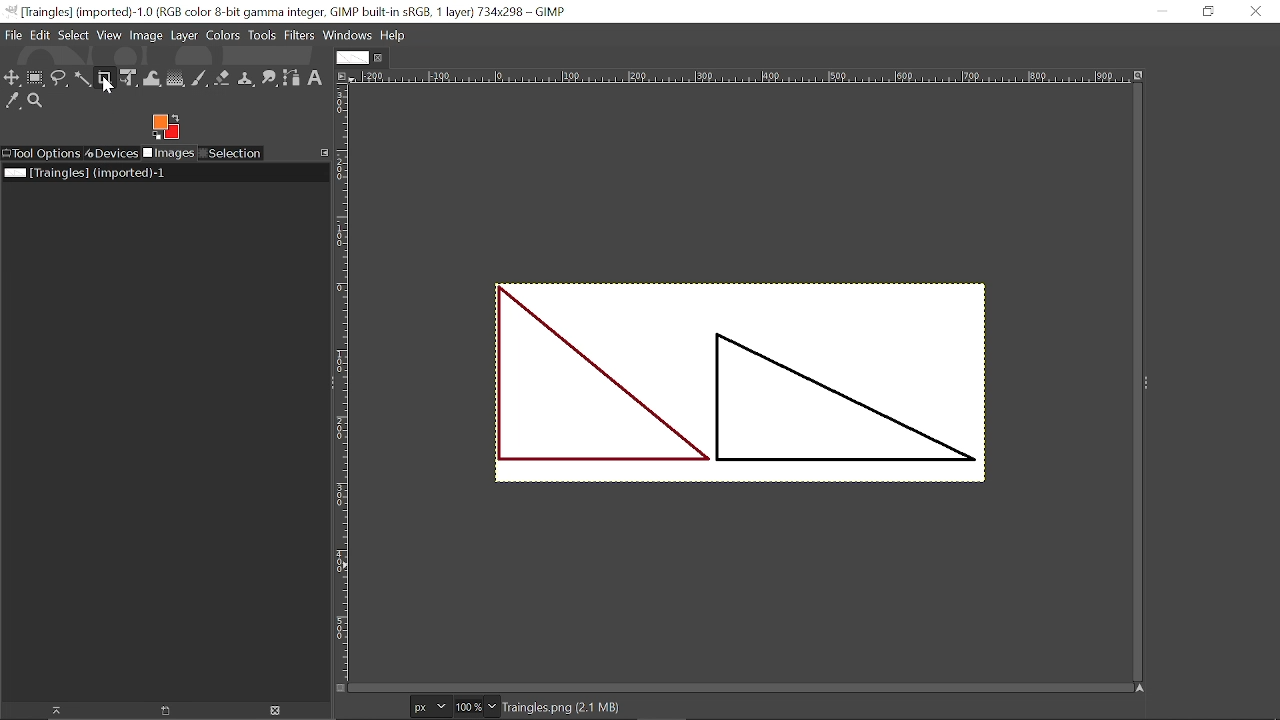 Image resolution: width=1280 pixels, height=720 pixels. I want to click on Delete image, so click(281, 711).